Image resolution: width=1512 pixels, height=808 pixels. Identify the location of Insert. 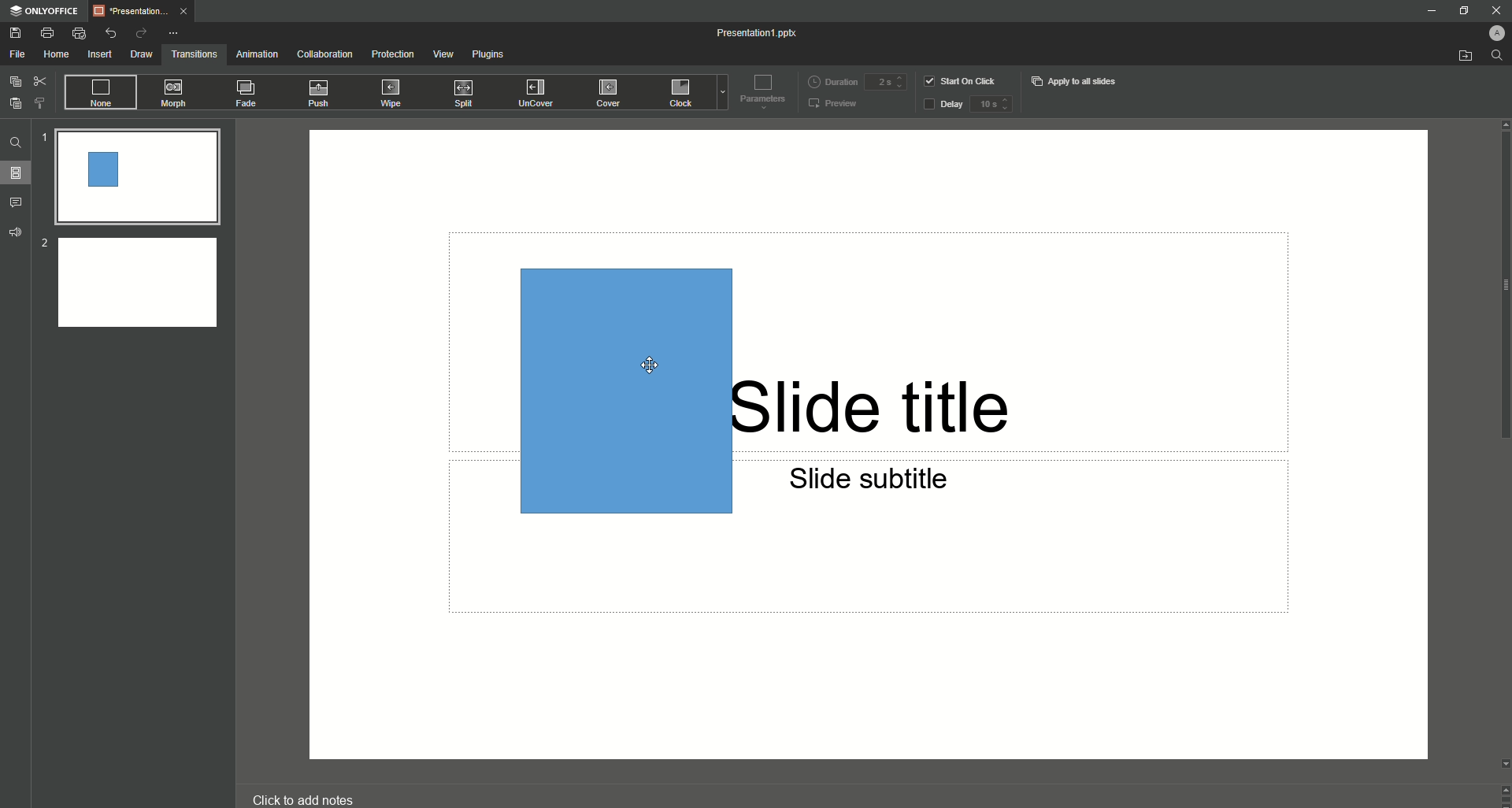
(98, 54).